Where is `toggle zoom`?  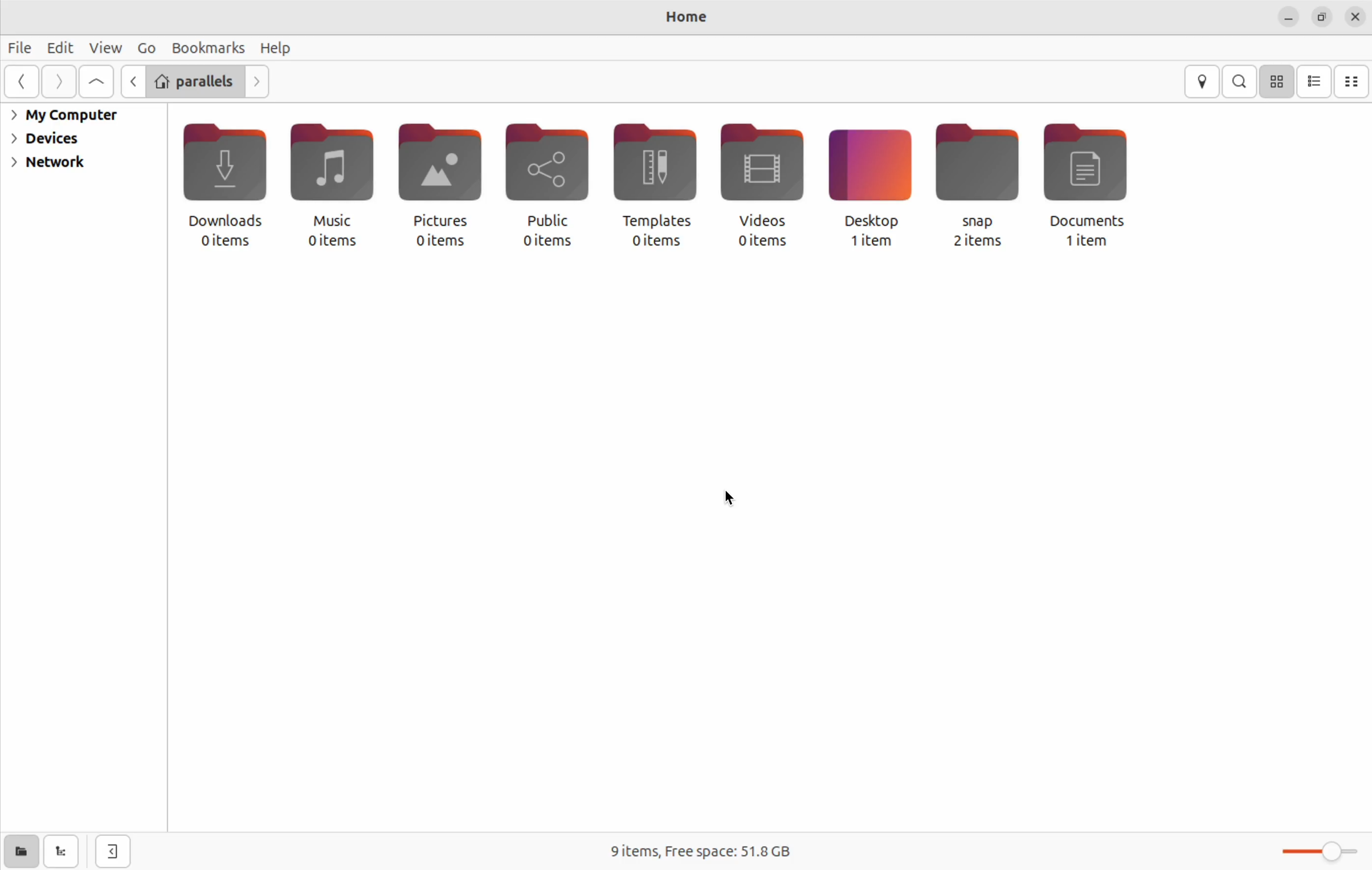
toggle zoom is located at coordinates (1317, 849).